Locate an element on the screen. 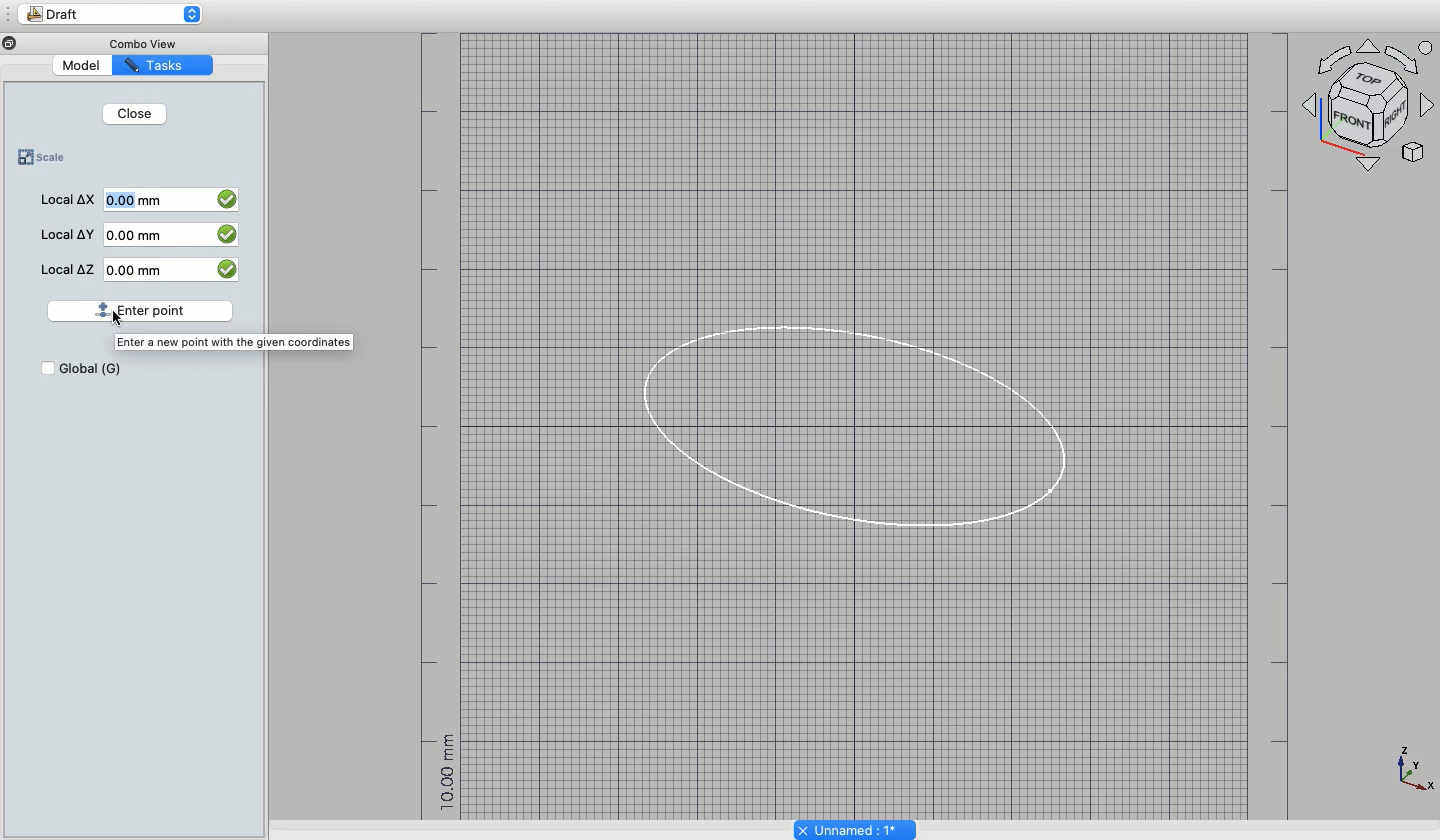 This screenshot has width=1440, height=840. Enter point is located at coordinates (143, 311).